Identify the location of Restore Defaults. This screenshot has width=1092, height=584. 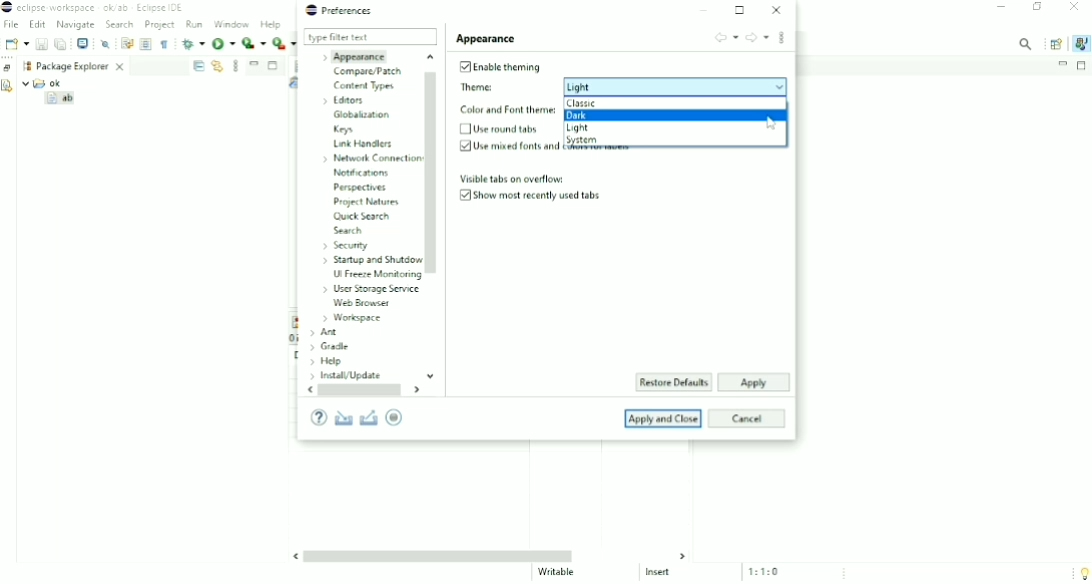
(673, 383).